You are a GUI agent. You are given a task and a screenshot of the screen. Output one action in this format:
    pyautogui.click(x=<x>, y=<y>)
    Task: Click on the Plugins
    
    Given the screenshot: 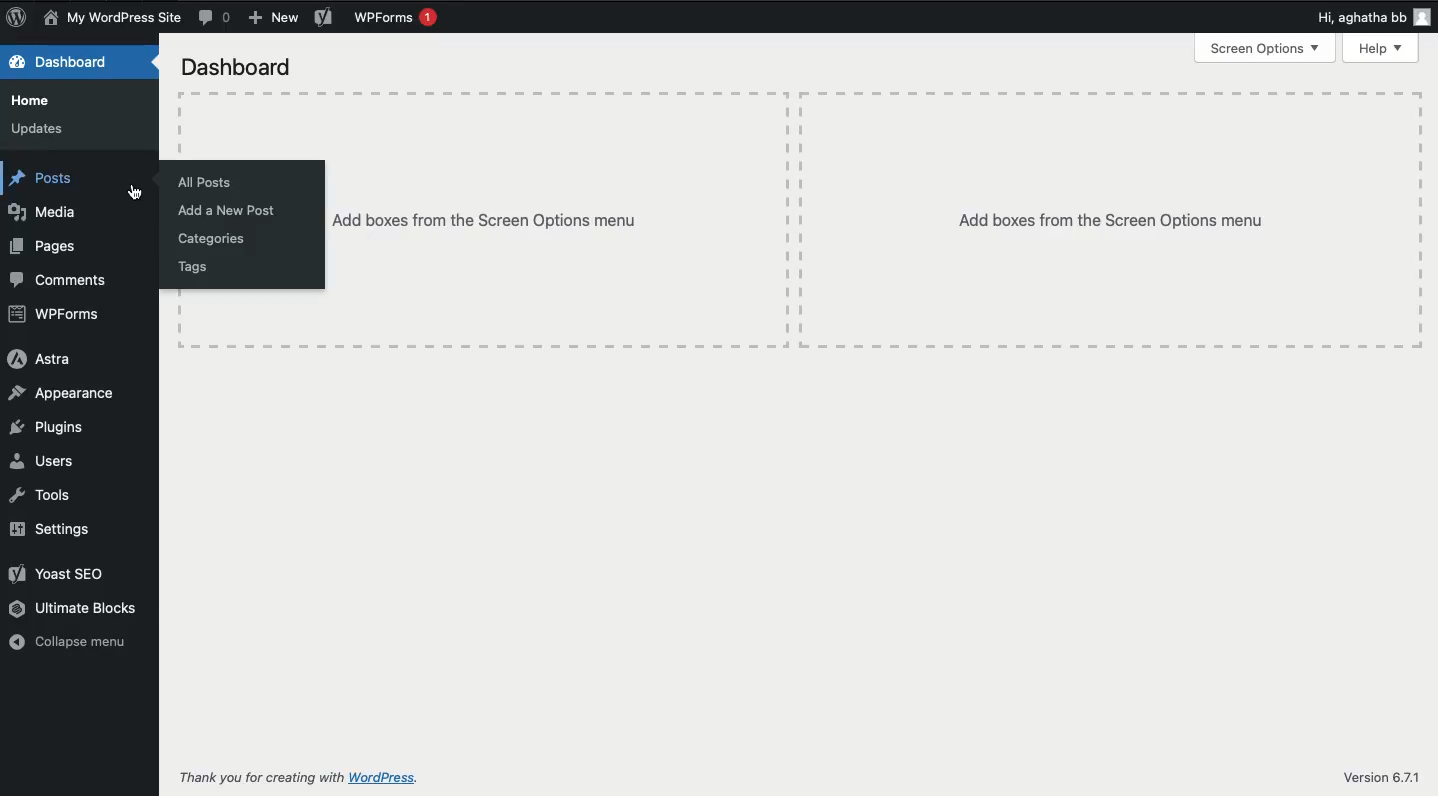 What is the action you would take?
    pyautogui.click(x=48, y=428)
    